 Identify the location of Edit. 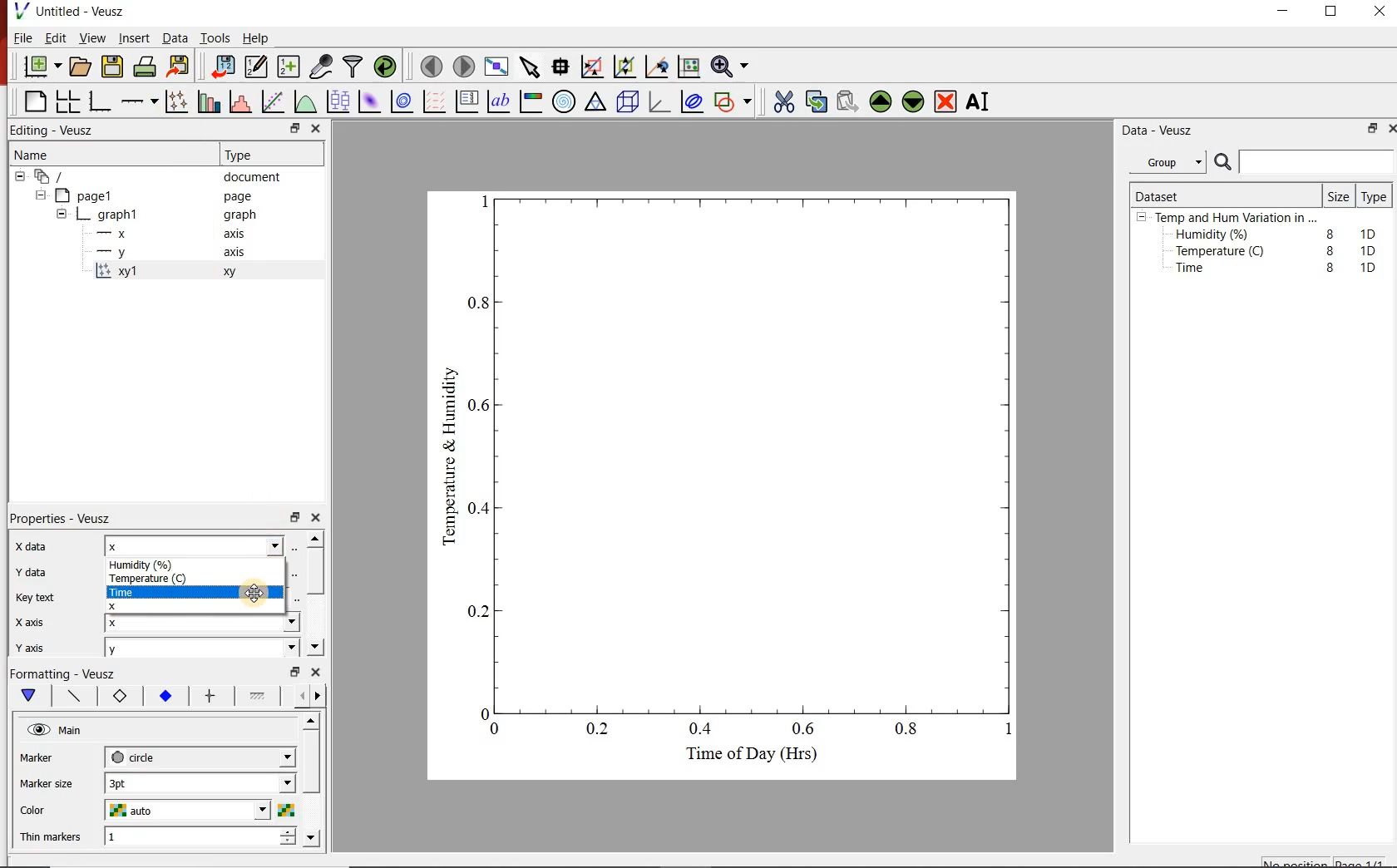
(56, 40).